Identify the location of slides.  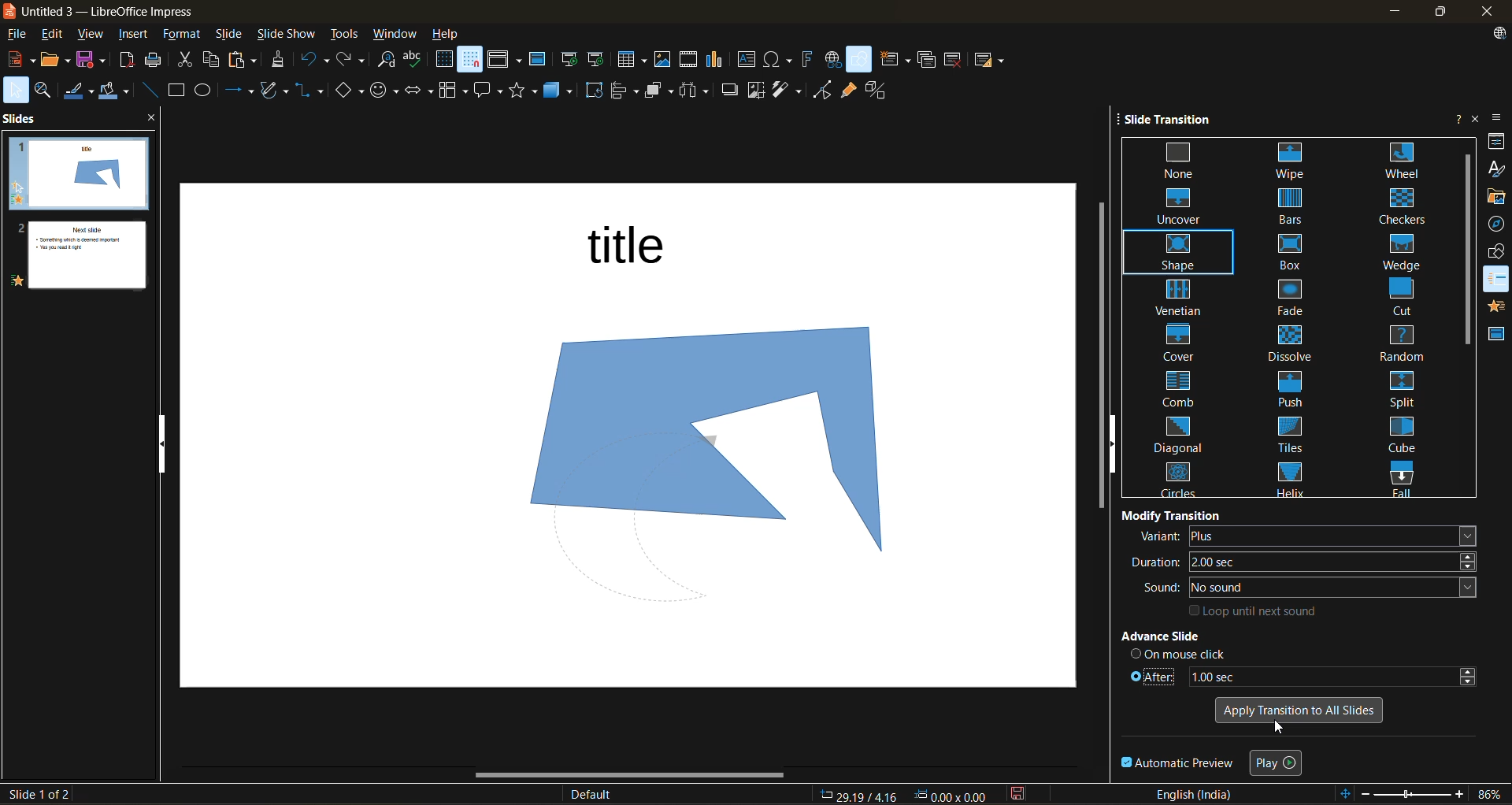
(74, 215).